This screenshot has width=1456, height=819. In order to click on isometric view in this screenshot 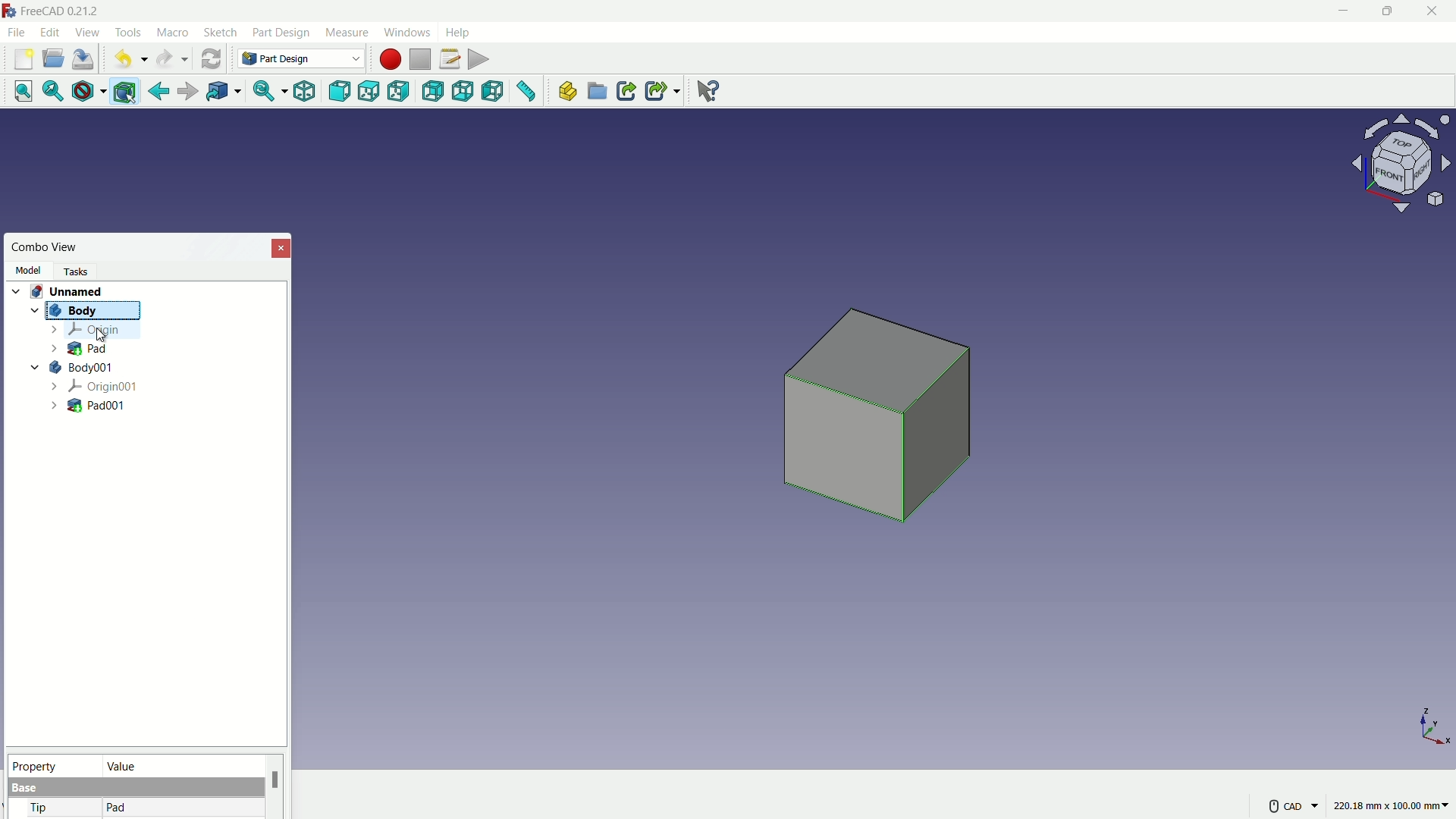, I will do `click(304, 93)`.